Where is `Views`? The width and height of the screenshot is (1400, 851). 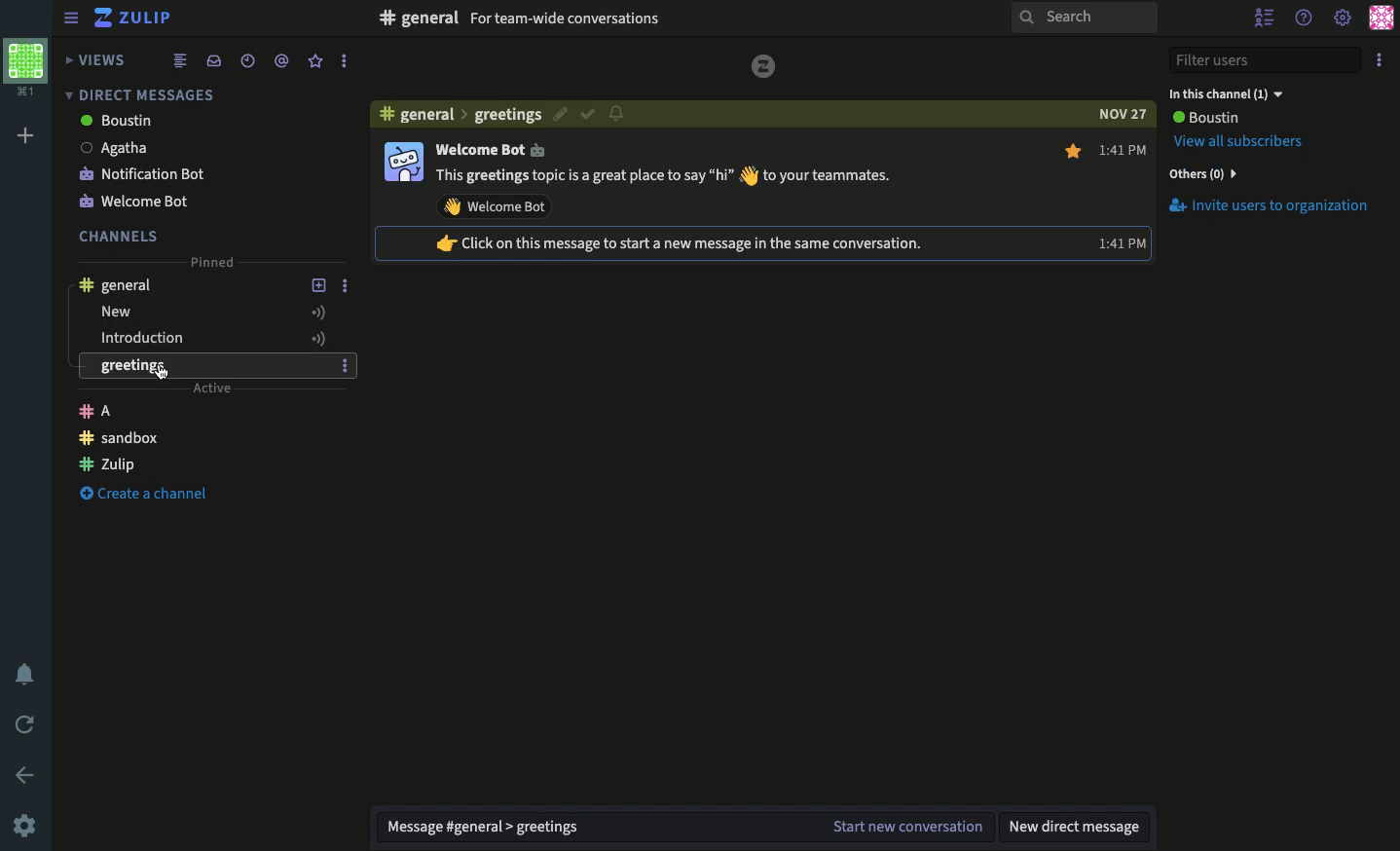 Views is located at coordinates (98, 59).